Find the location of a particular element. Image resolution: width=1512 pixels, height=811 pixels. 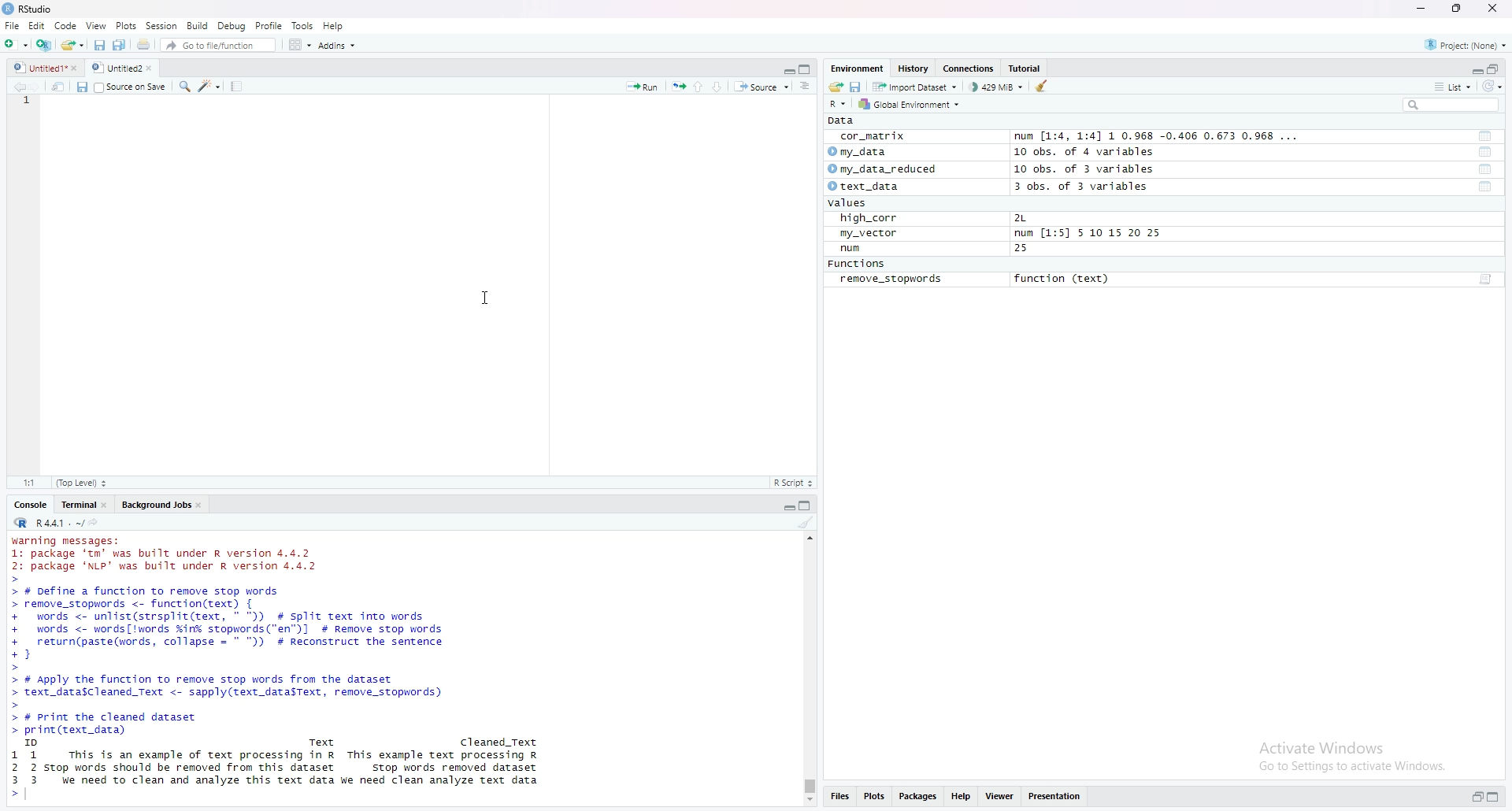

Source on Save is located at coordinates (132, 87).